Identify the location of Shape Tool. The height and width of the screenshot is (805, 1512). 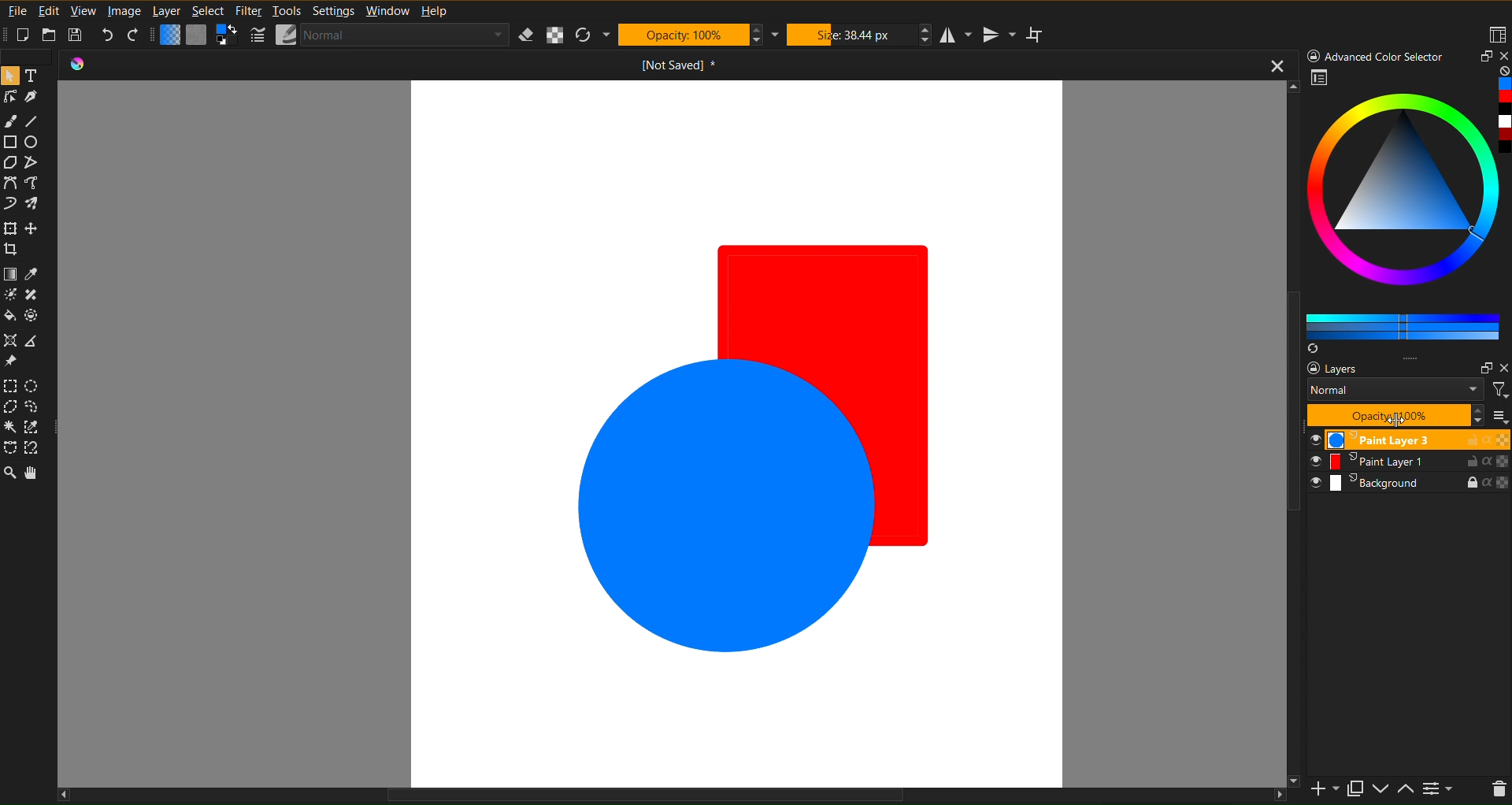
(36, 165).